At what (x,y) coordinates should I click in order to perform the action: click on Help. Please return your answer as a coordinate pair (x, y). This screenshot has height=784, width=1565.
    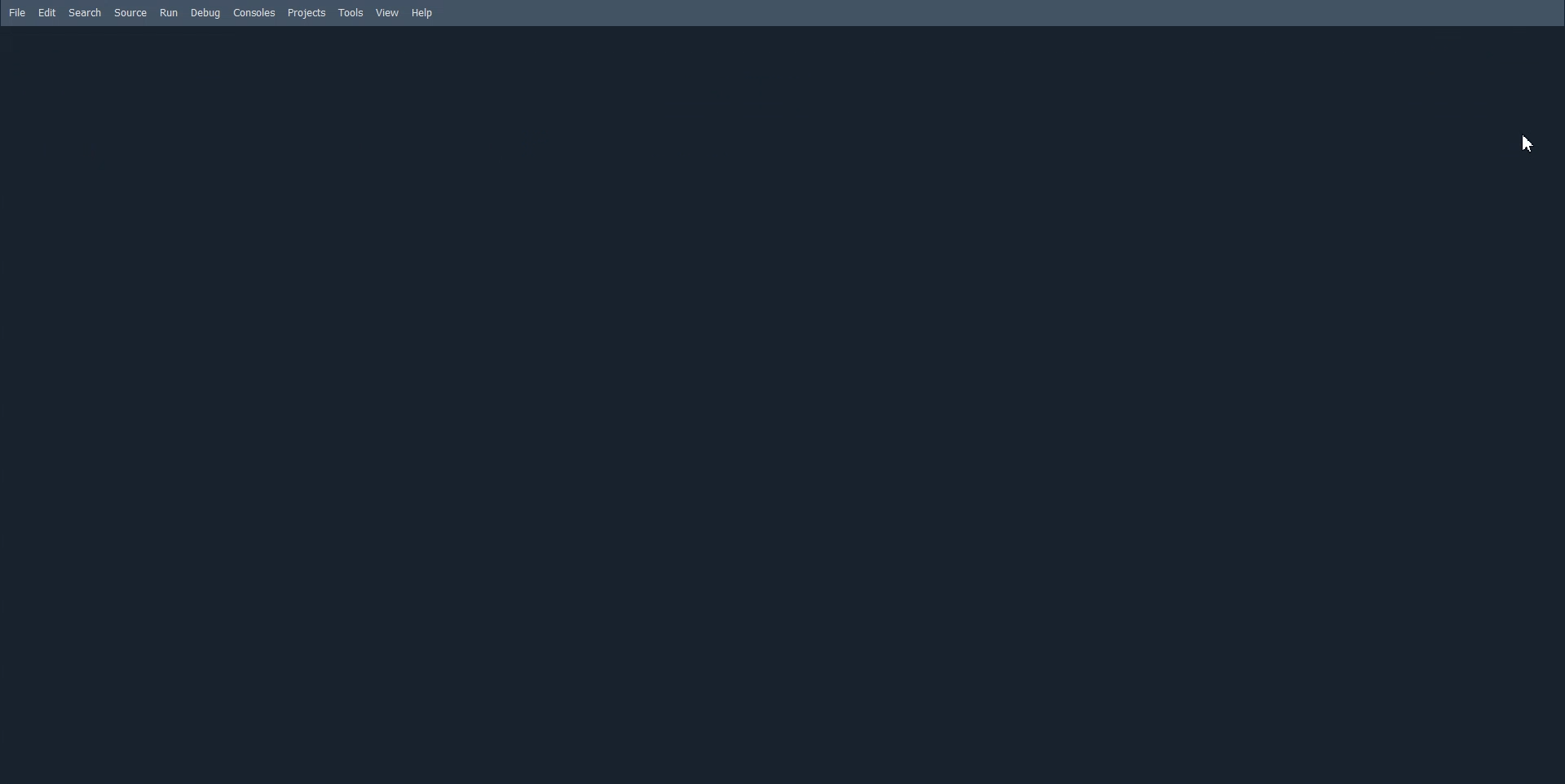
    Looking at the image, I should click on (422, 13).